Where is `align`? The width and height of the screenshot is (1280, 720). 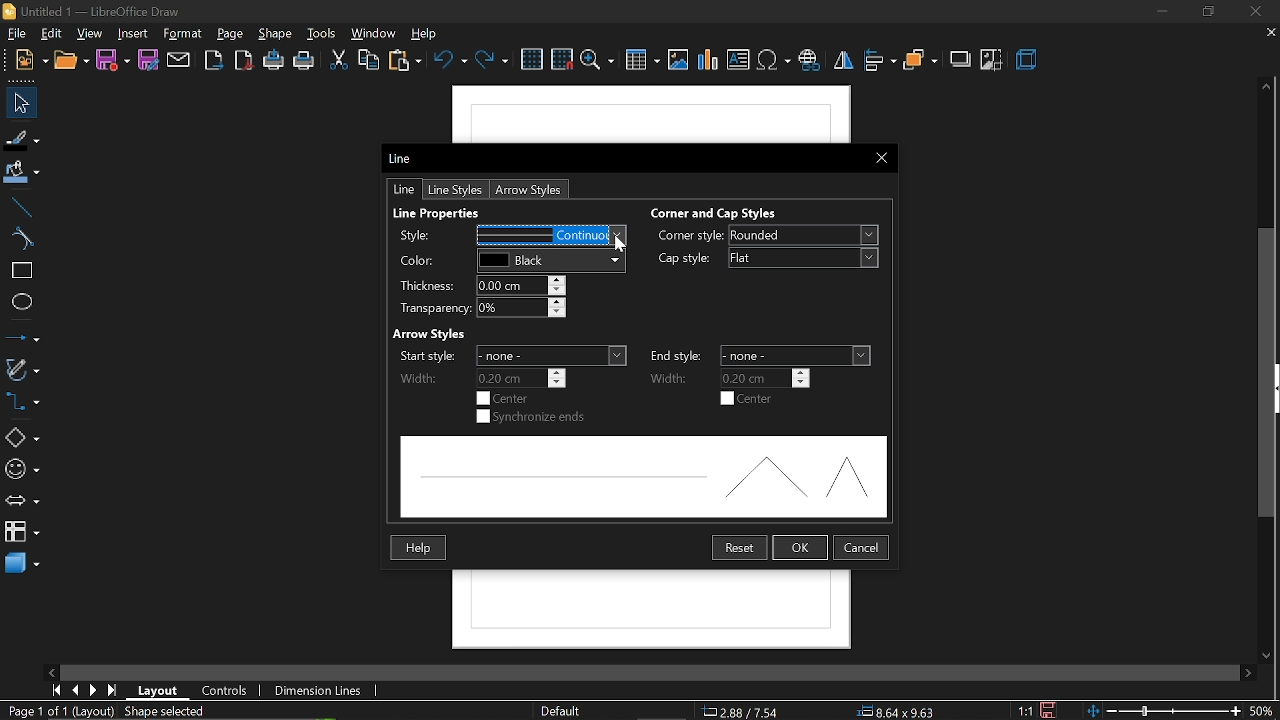 align is located at coordinates (881, 60).